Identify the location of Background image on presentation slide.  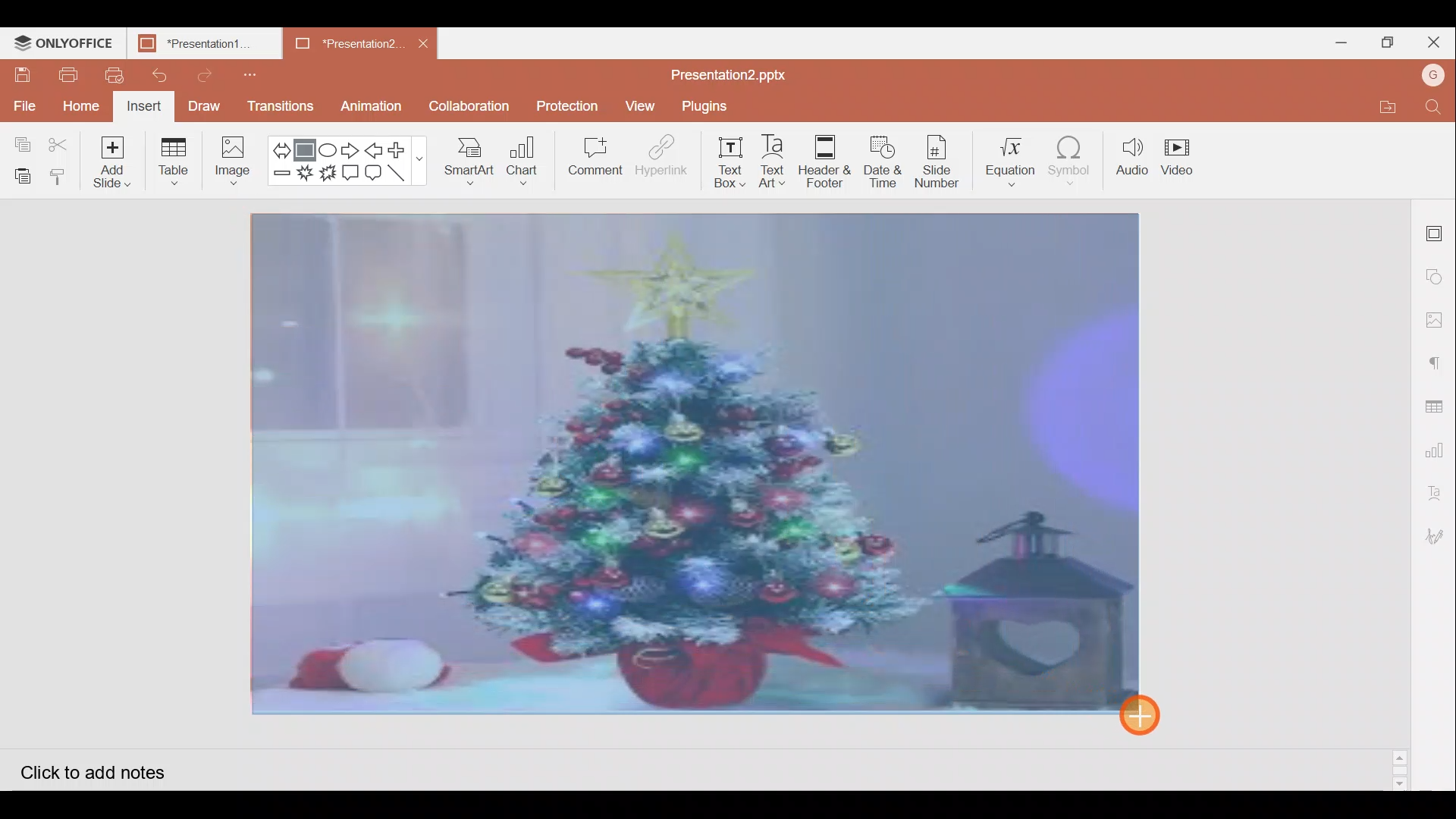
(695, 463).